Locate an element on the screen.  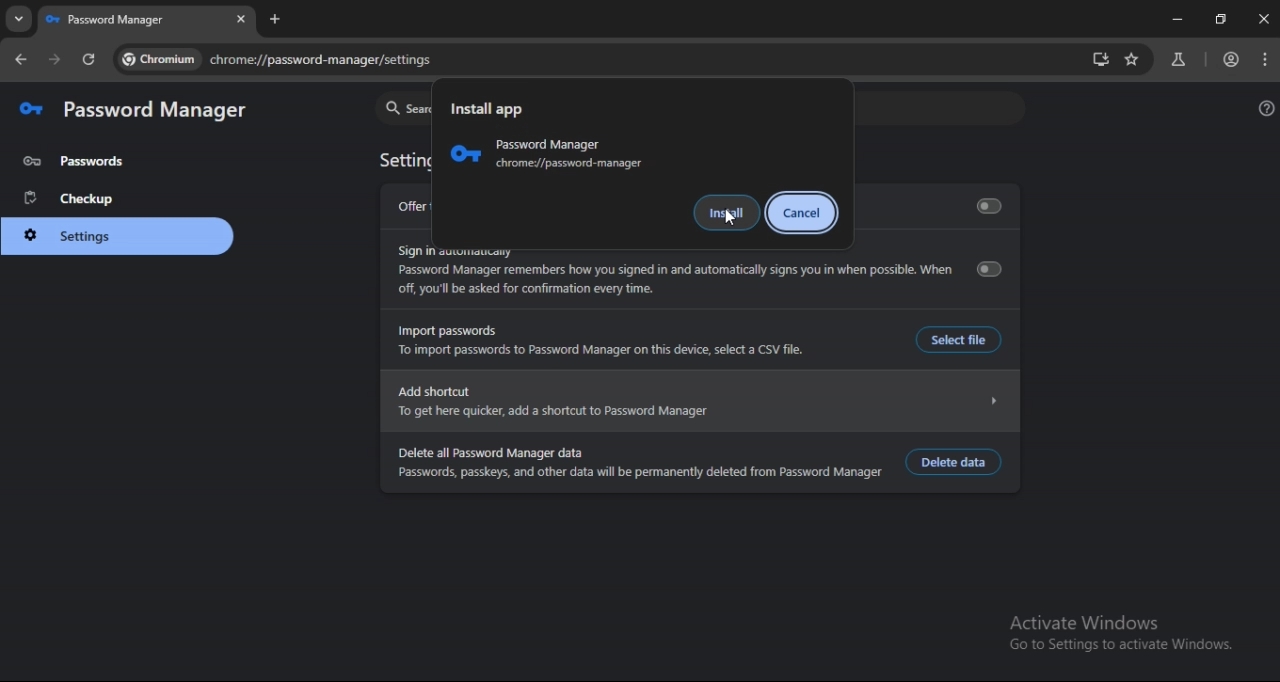
search labs is located at coordinates (1178, 59).